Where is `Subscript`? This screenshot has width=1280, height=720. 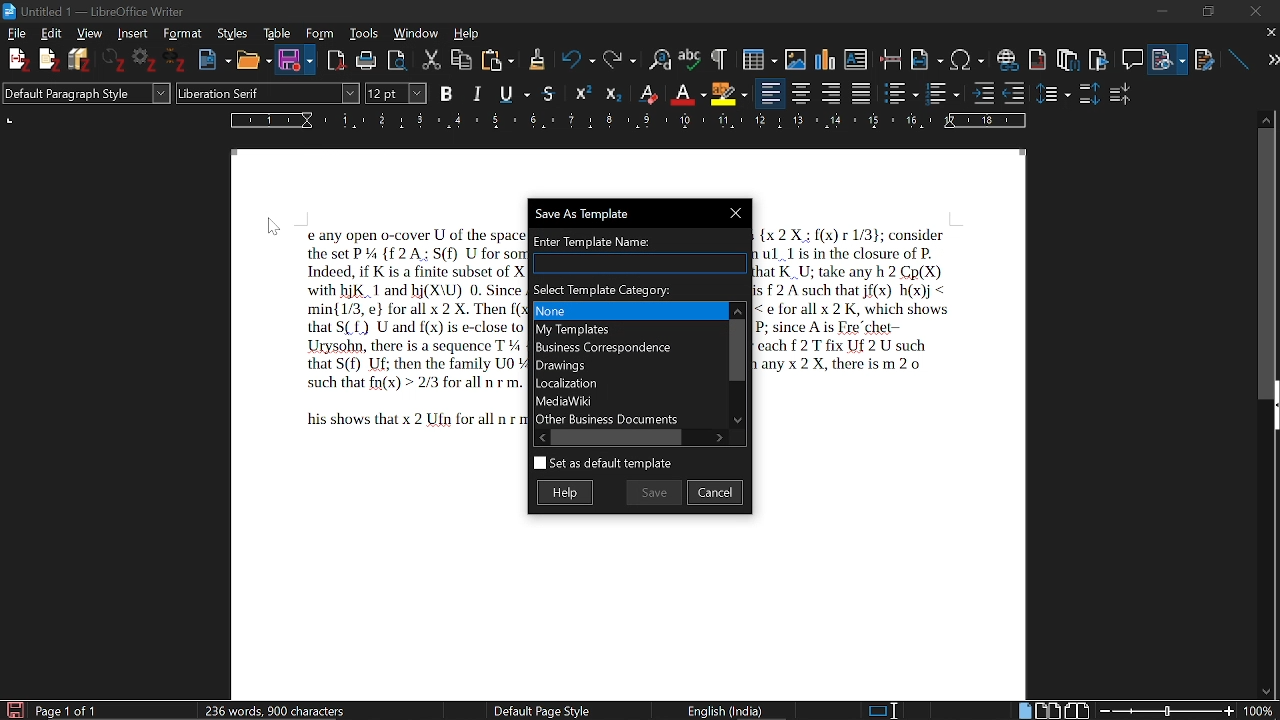
Subscript is located at coordinates (687, 91).